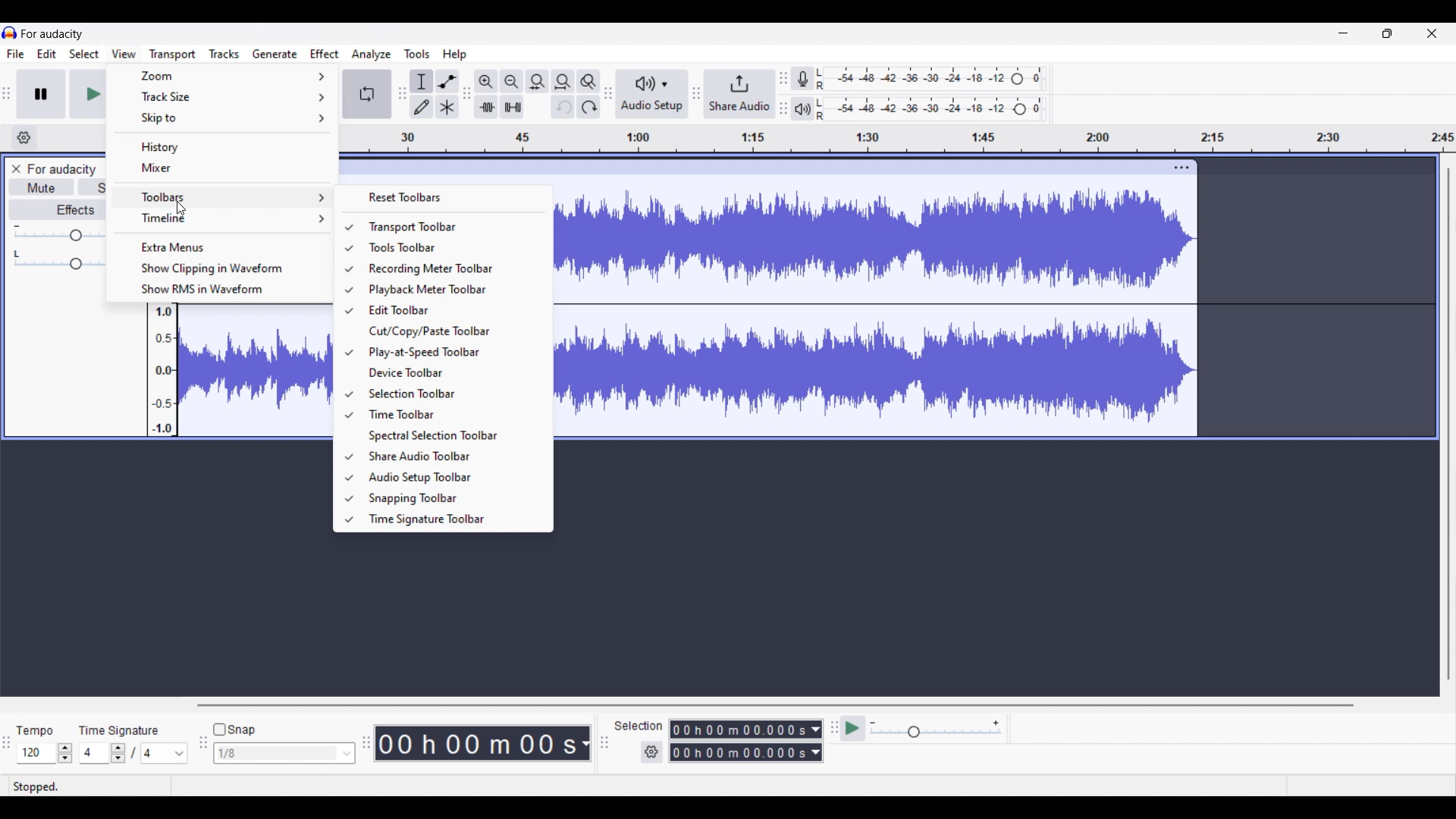 The height and width of the screenshot is (819, 1456). I want to click on Recording meter toolbar, so click(452, 268).